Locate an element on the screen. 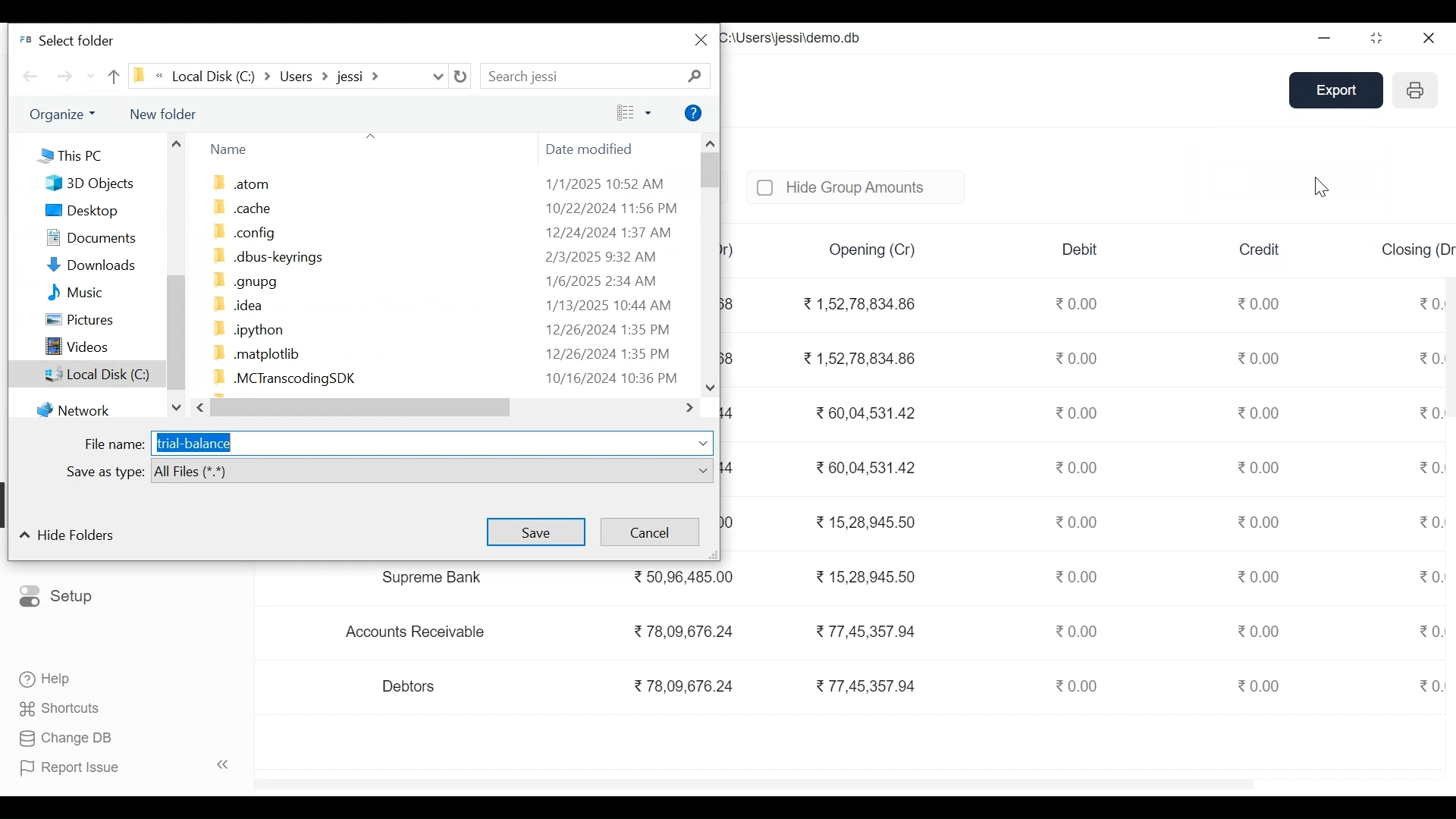  0.00 is located at coordinates (1260, 466).